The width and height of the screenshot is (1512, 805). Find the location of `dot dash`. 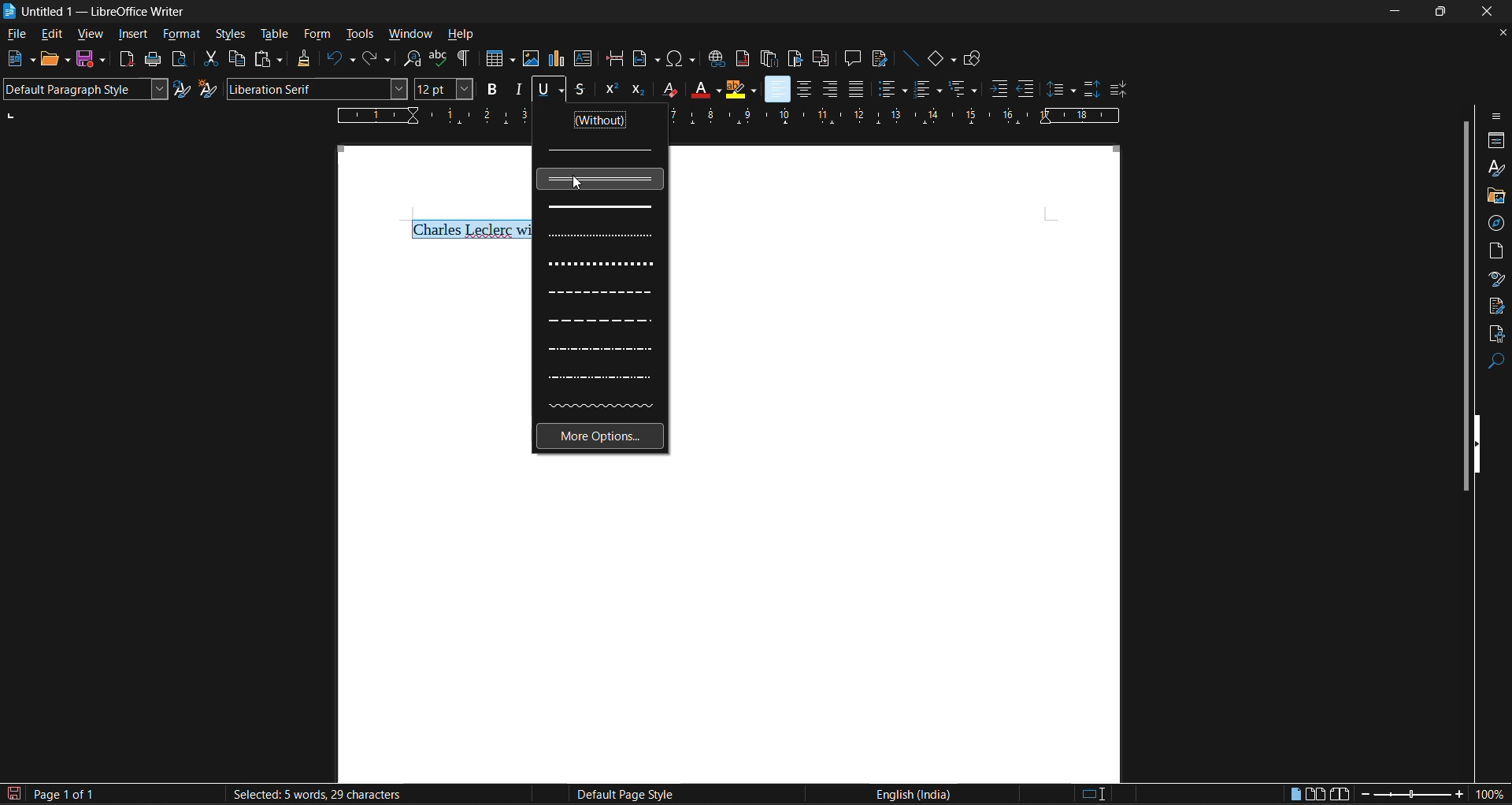

dot dash is located at coordinates (598, 350).